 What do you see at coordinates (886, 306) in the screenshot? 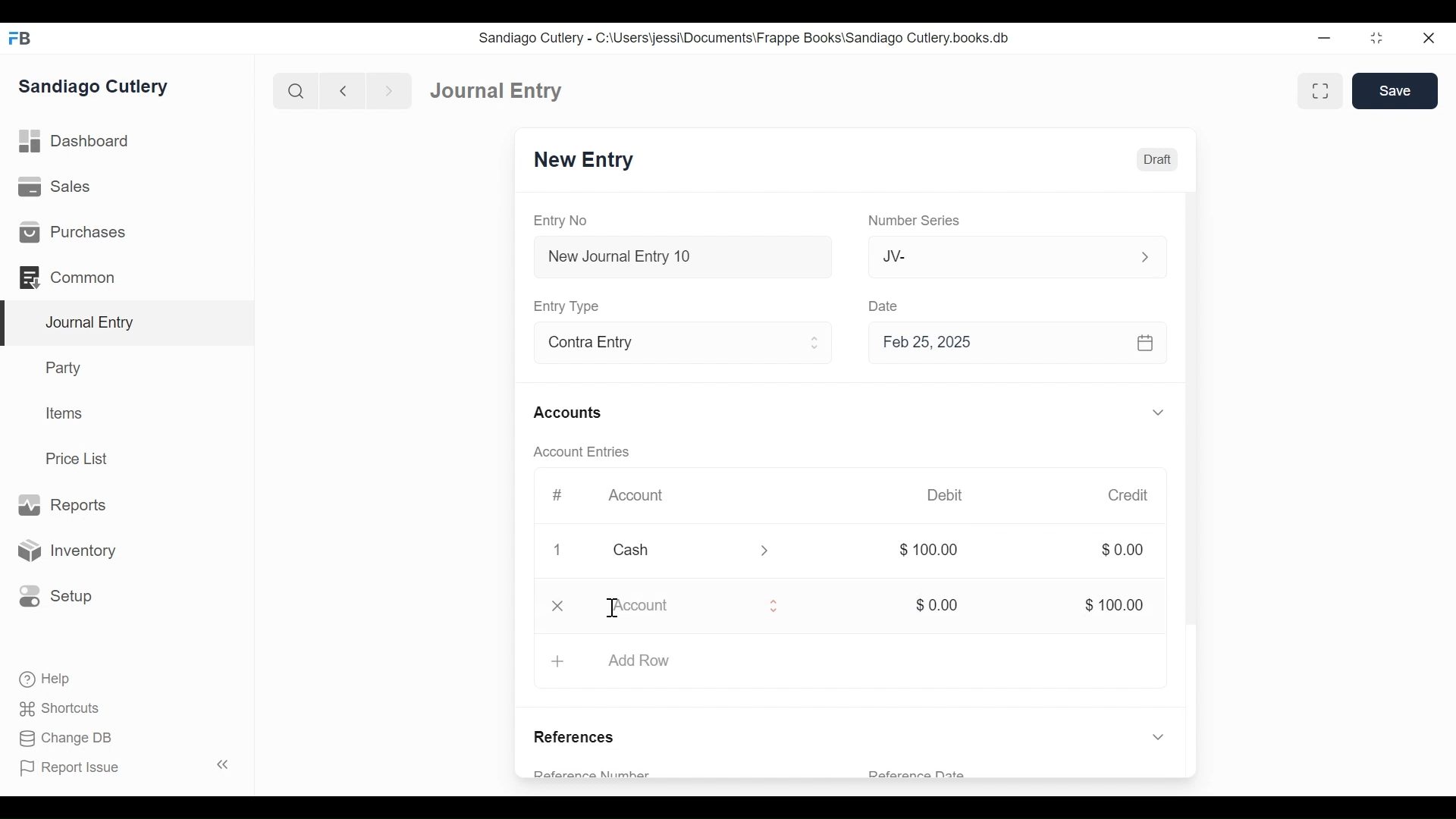
I see `Date` at bounding box center [886, 306].